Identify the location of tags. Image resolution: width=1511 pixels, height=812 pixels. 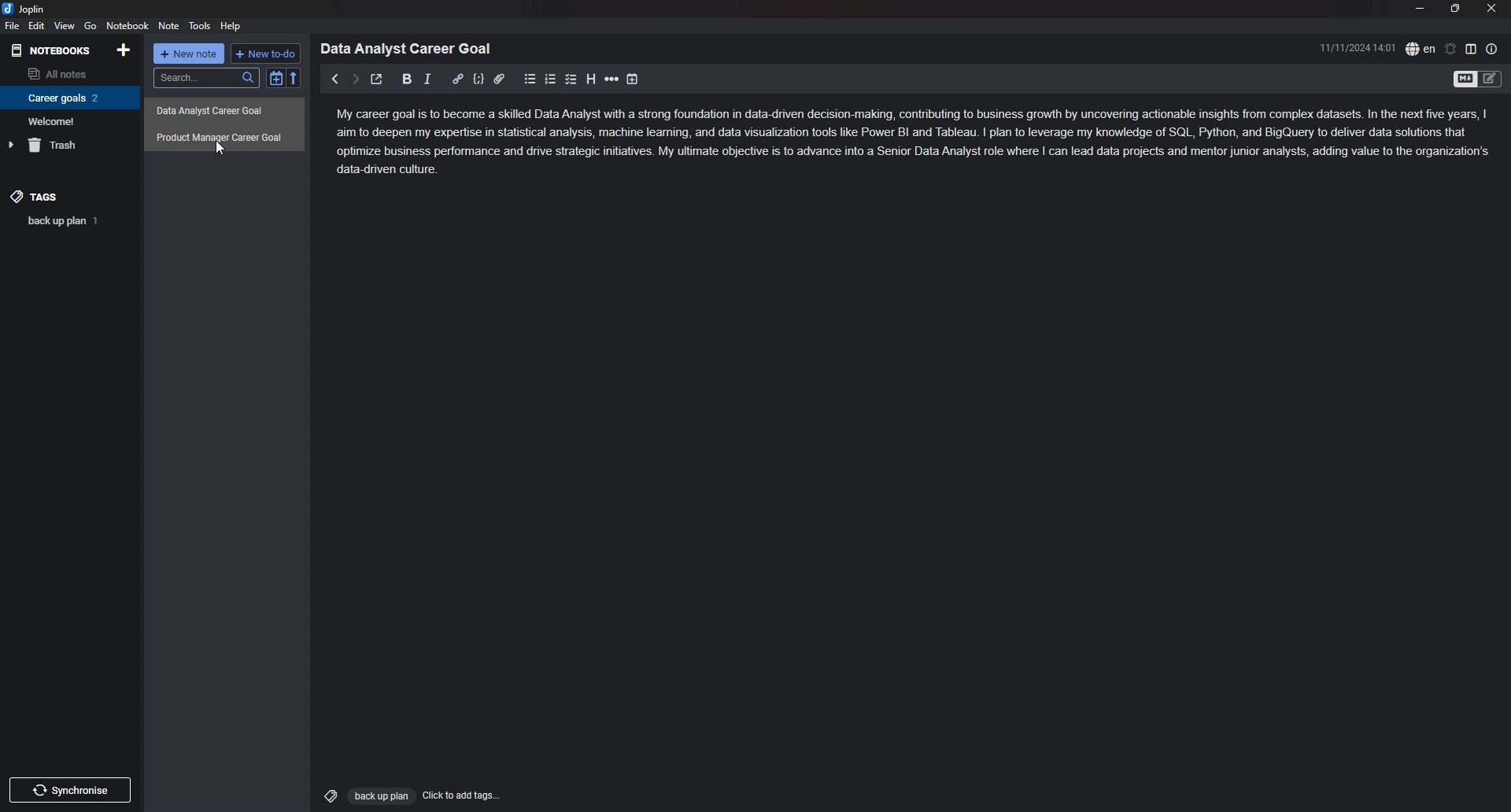
(69, 197).